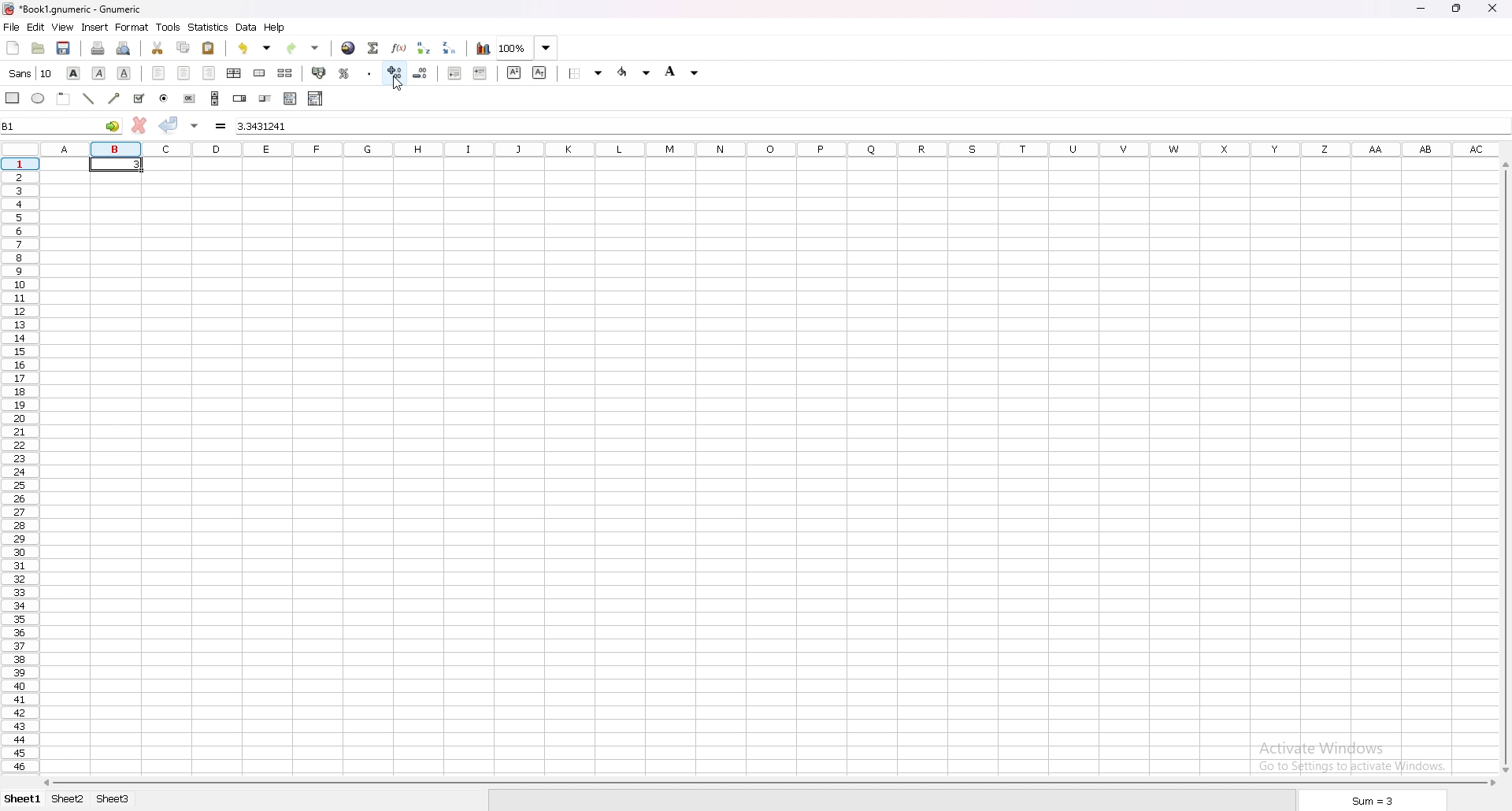 The width and height of the screenshot is (1512, 811). What do you see at coordinates (139, 167) in the screenshot?
I see `3` at bounding box center [139, 167].